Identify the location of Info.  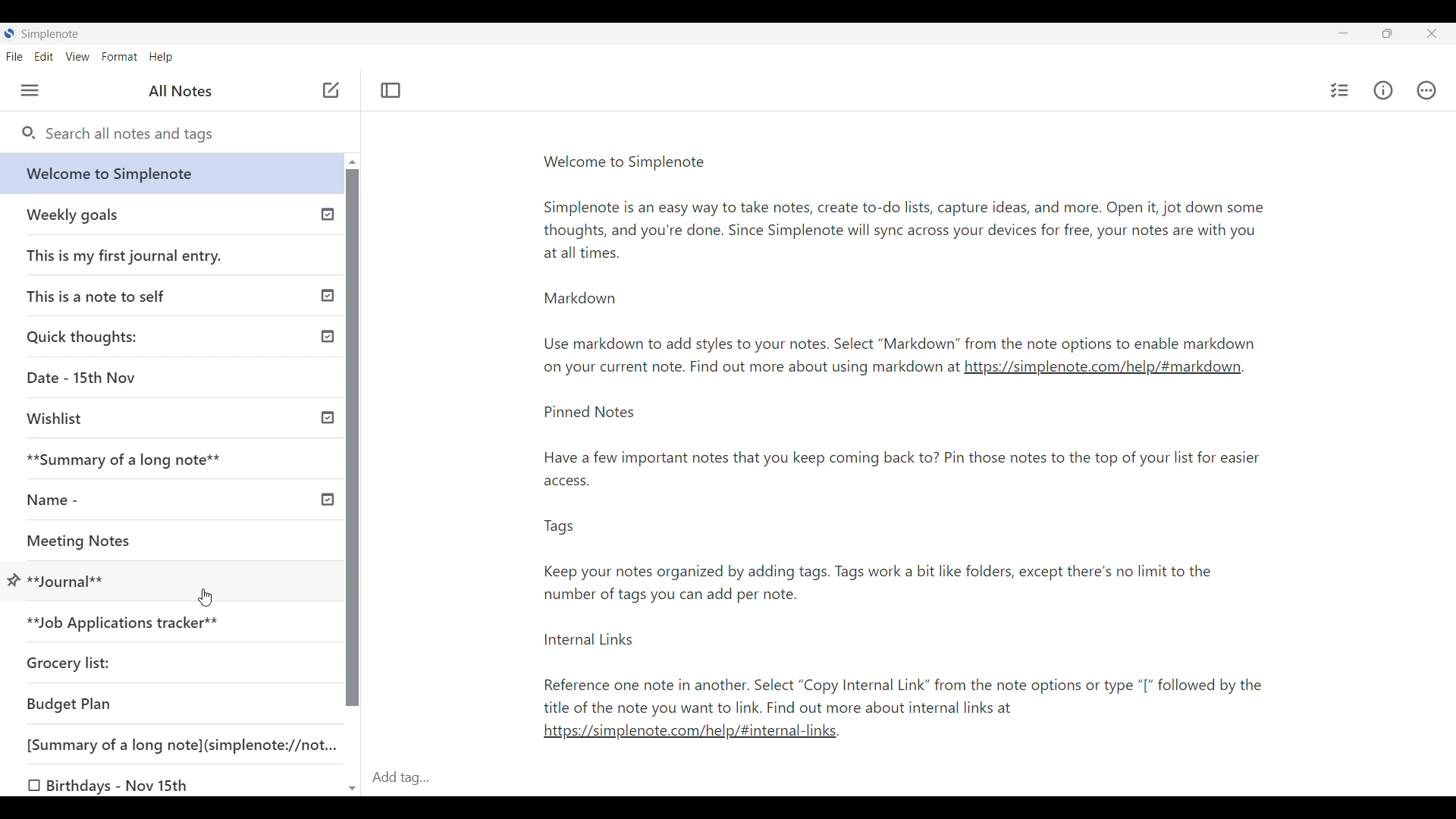
(1382, 89).